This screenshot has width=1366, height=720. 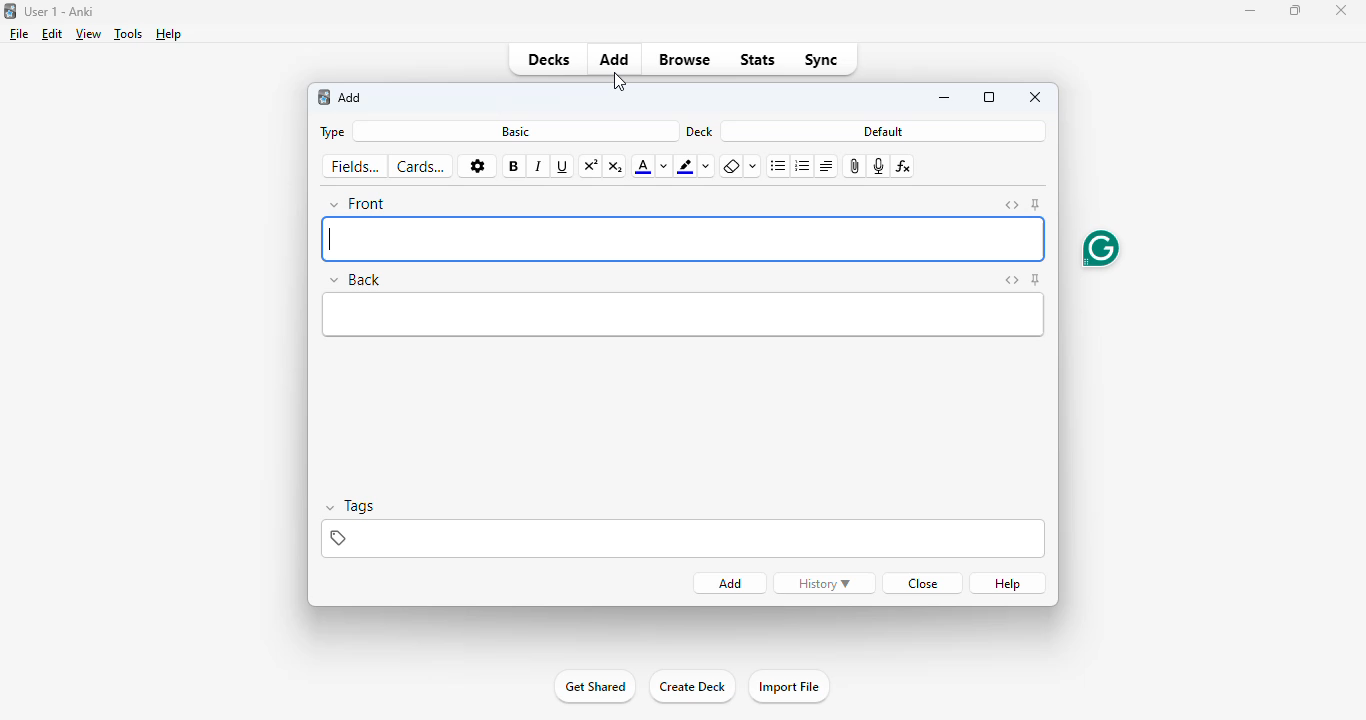 I want to click on unordered list, so click(x=779, y=167).